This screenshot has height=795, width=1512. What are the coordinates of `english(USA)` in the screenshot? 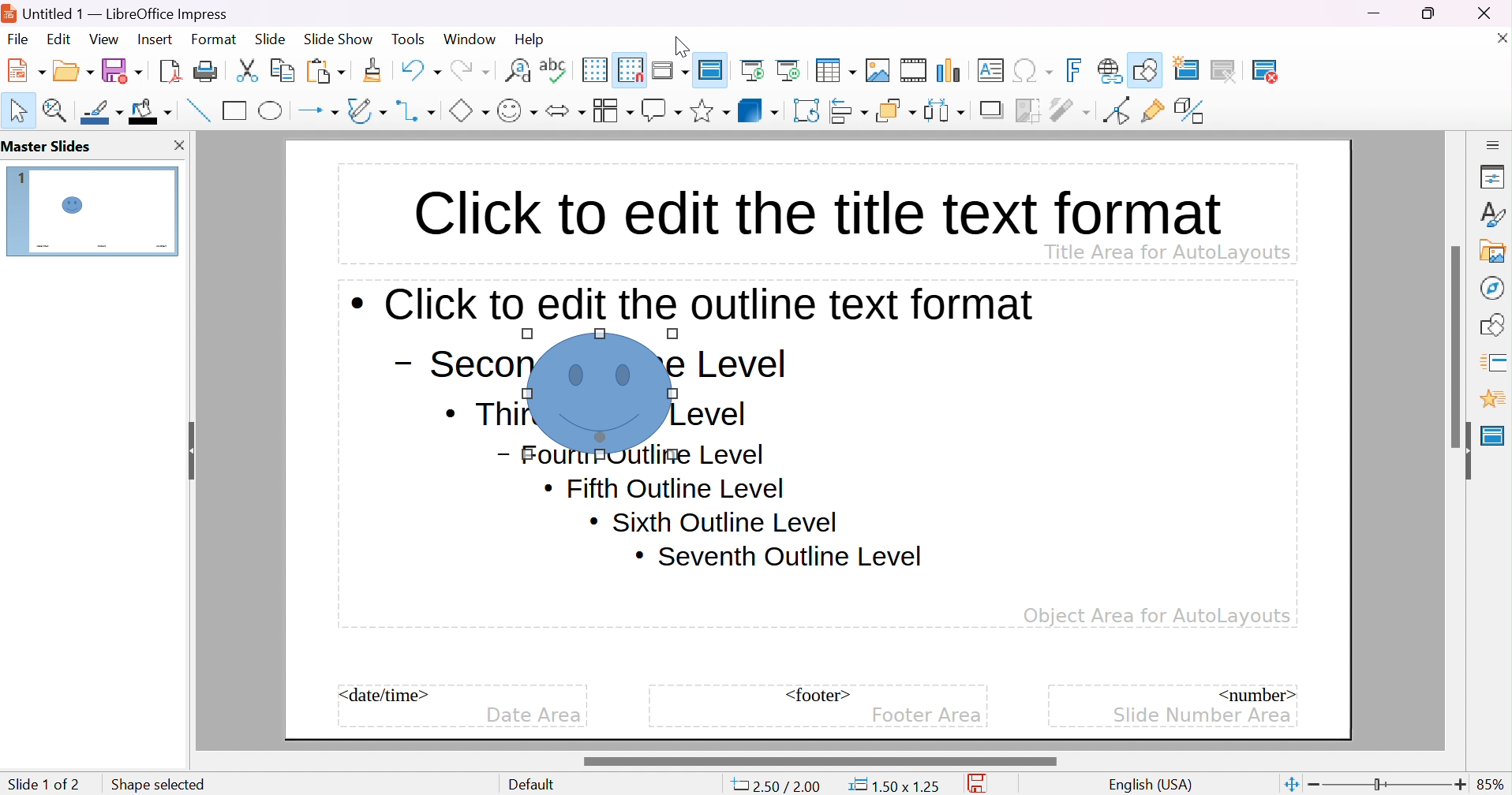 It's located at (1151, 785).